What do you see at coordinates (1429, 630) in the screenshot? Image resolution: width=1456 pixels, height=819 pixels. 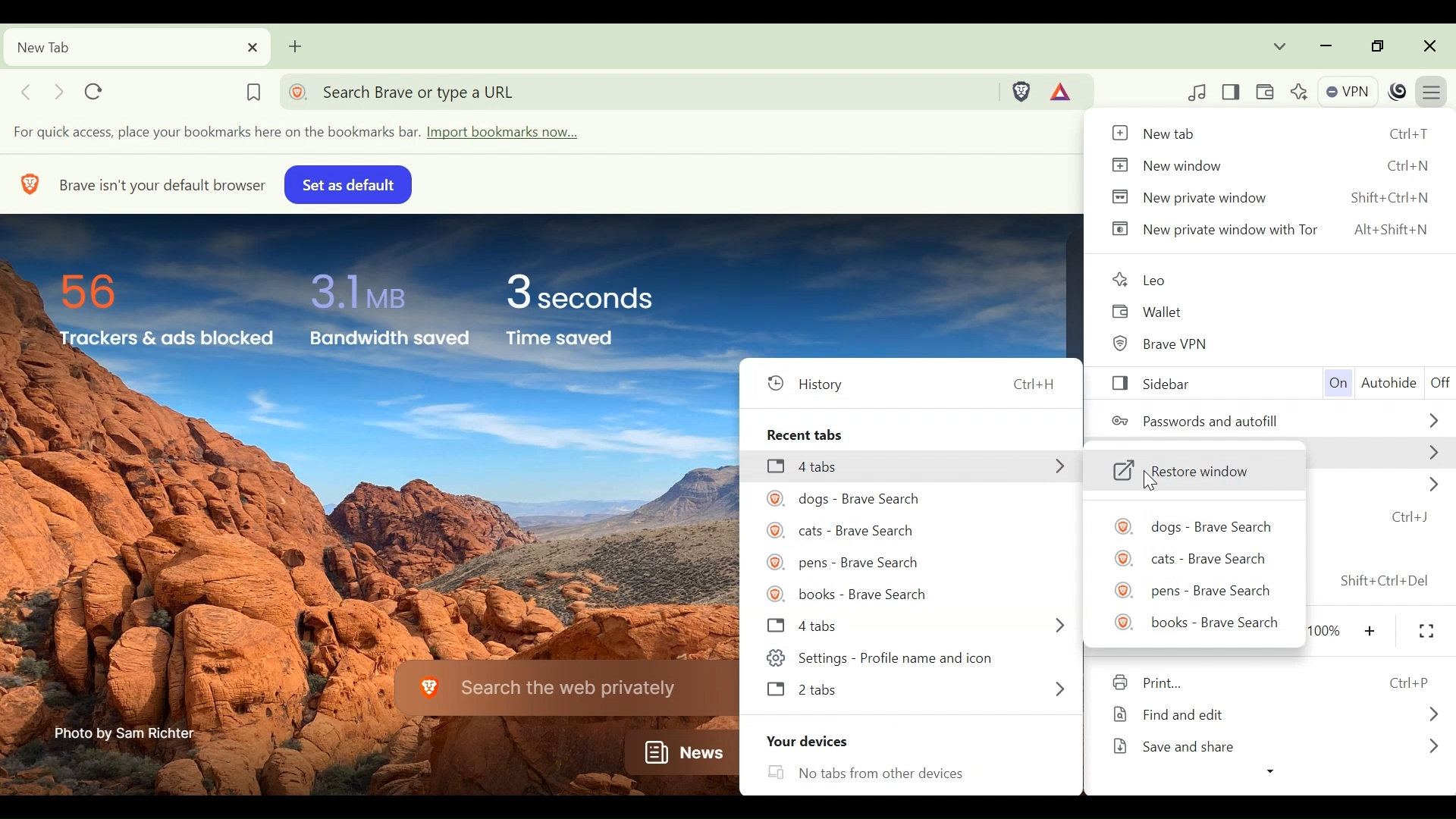 I see `FULLSCREEN` at bounding box center [1429, 630].